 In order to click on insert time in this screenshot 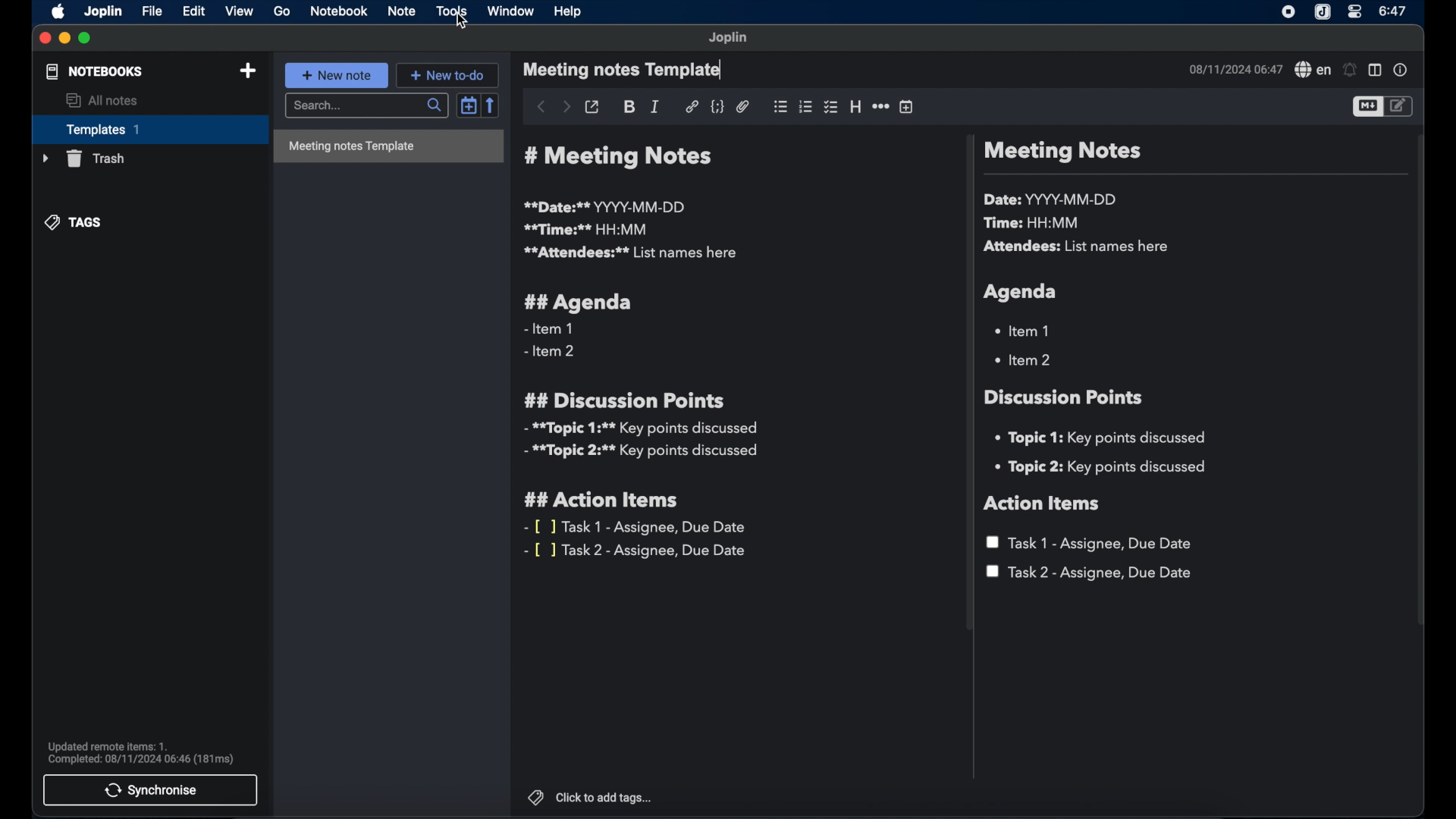, I will do `click(906, 107)`.